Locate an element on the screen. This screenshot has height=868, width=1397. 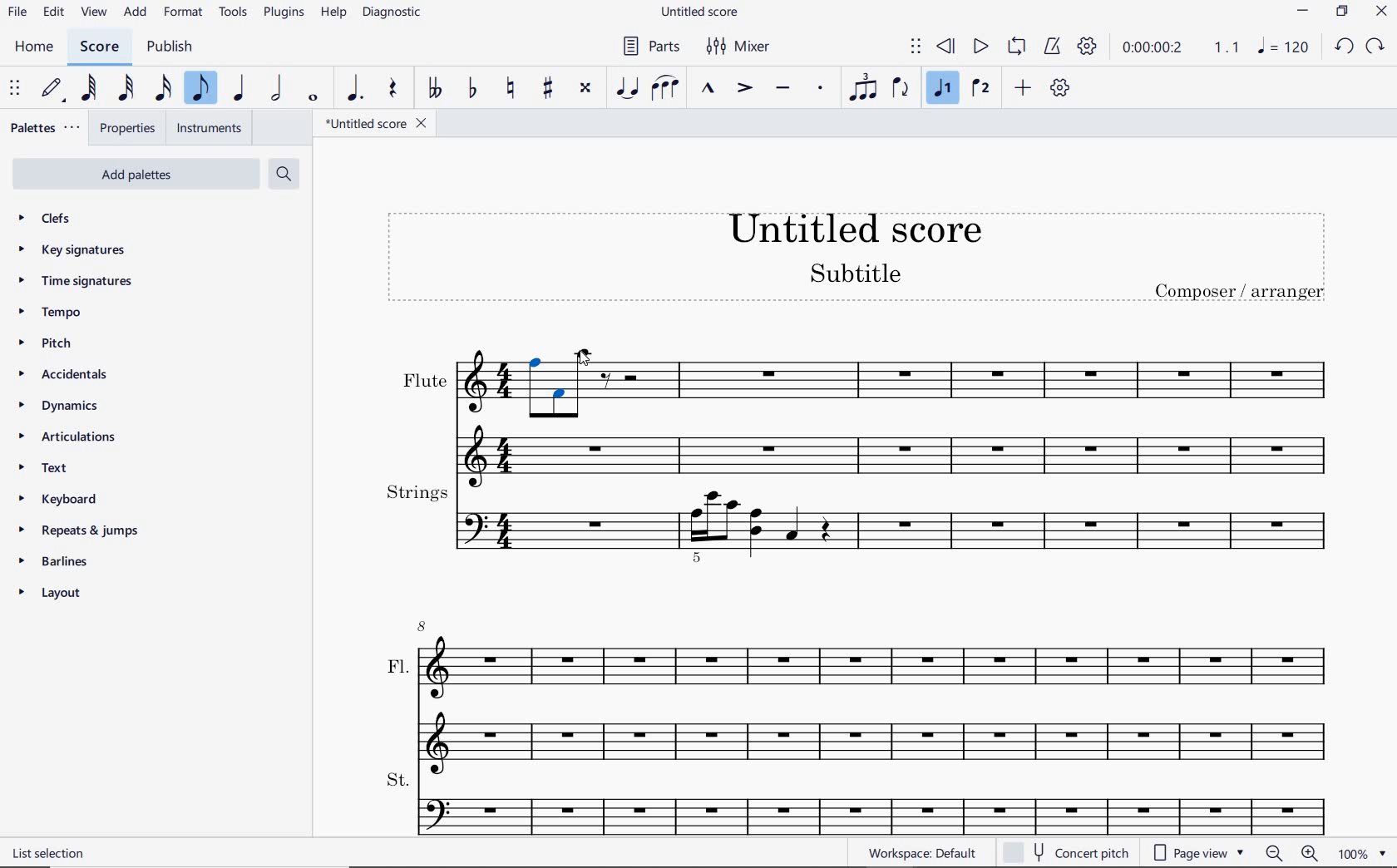
AUGMENTATION DOT is located at coordinates (355, 89).